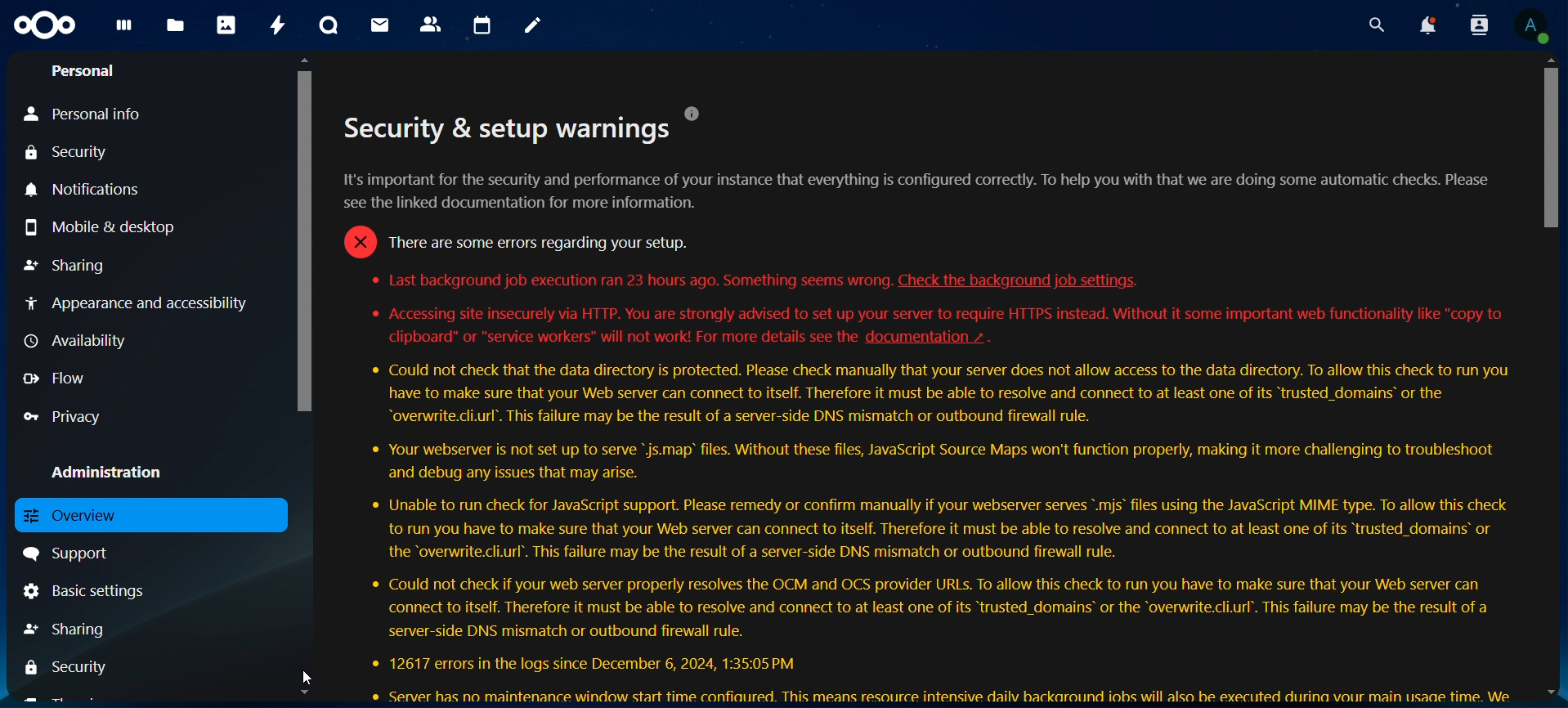 Image resolution: width=1568 pixels, height=708 pixels. Describe the element at coordinates (91, 590) in the screenshot. I see `basic settings` at that location.